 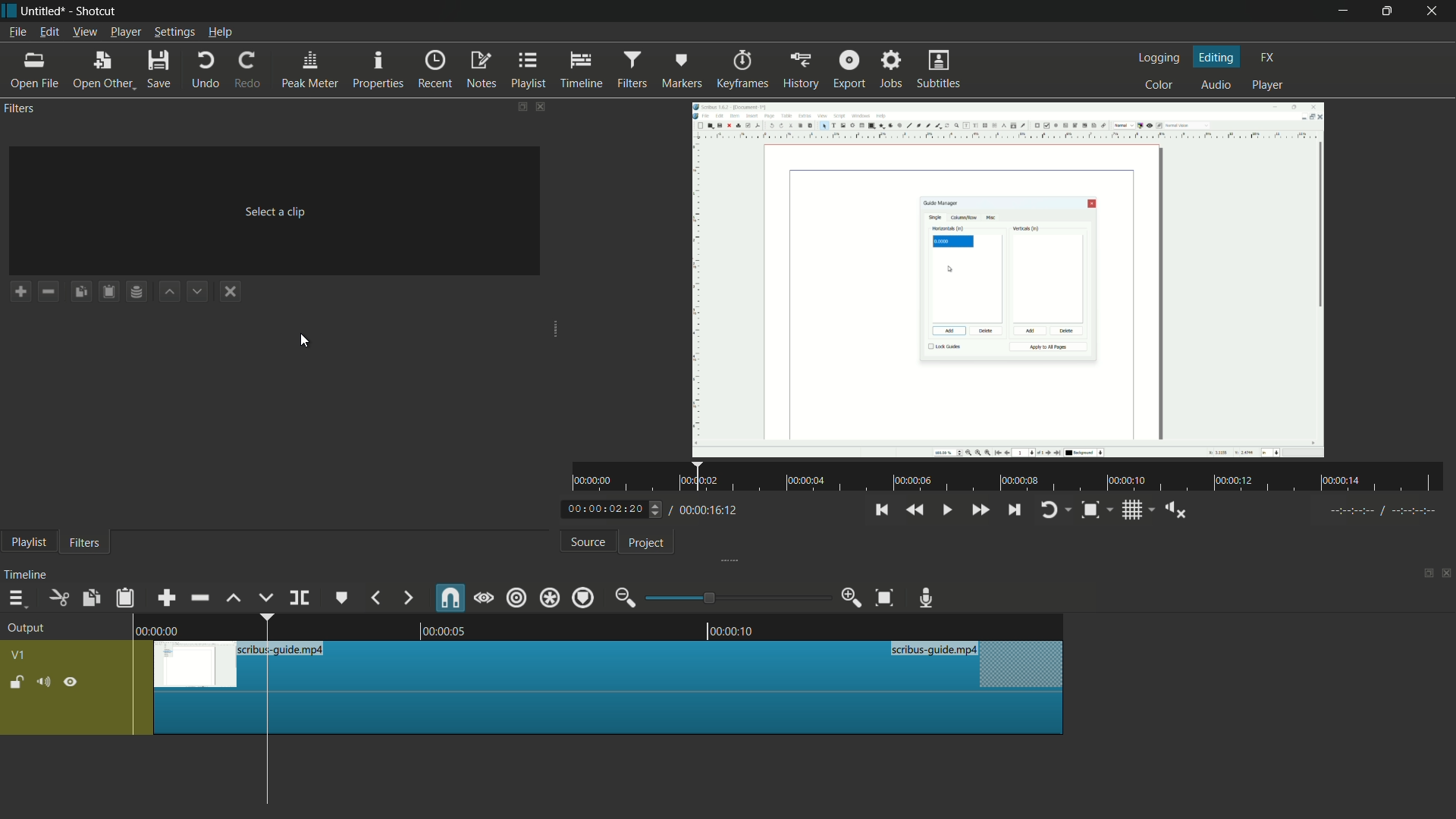 I want to click on save filter set, so click(x=137, y=293).